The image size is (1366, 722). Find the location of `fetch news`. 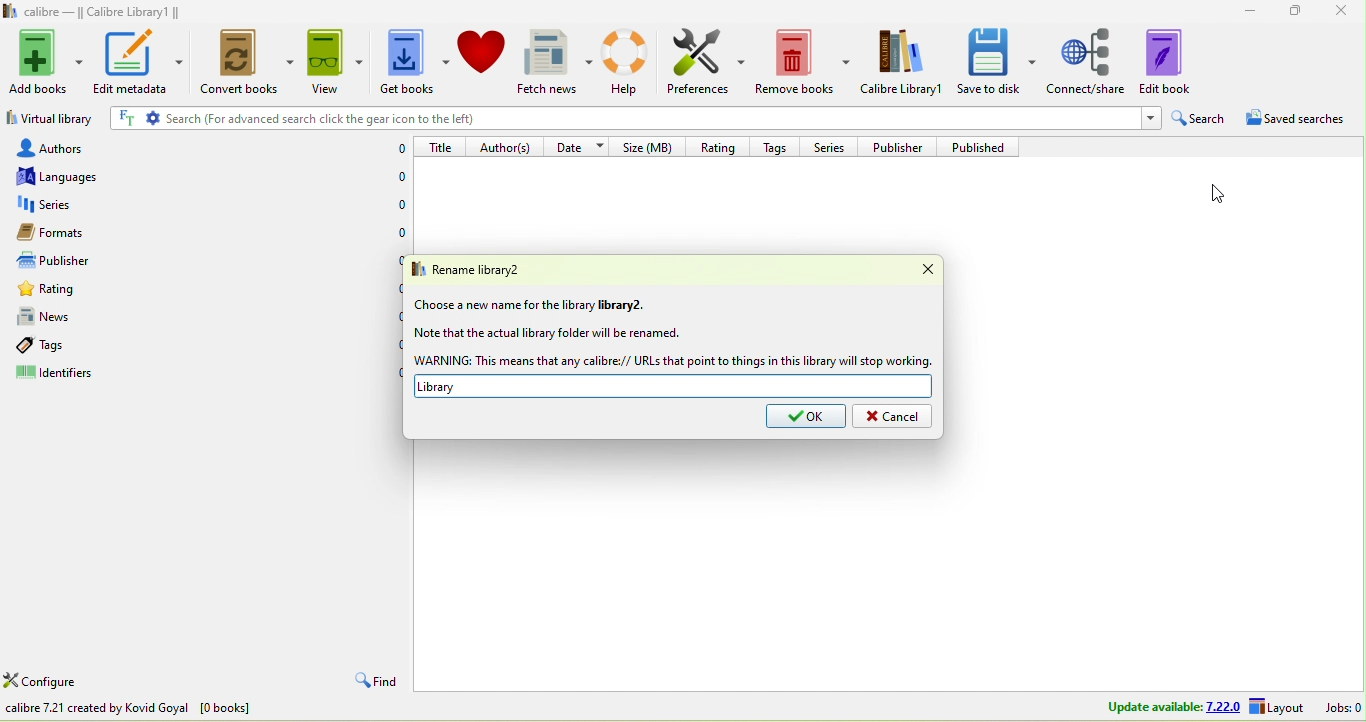

fetch news is located at coordinates (557, 62).